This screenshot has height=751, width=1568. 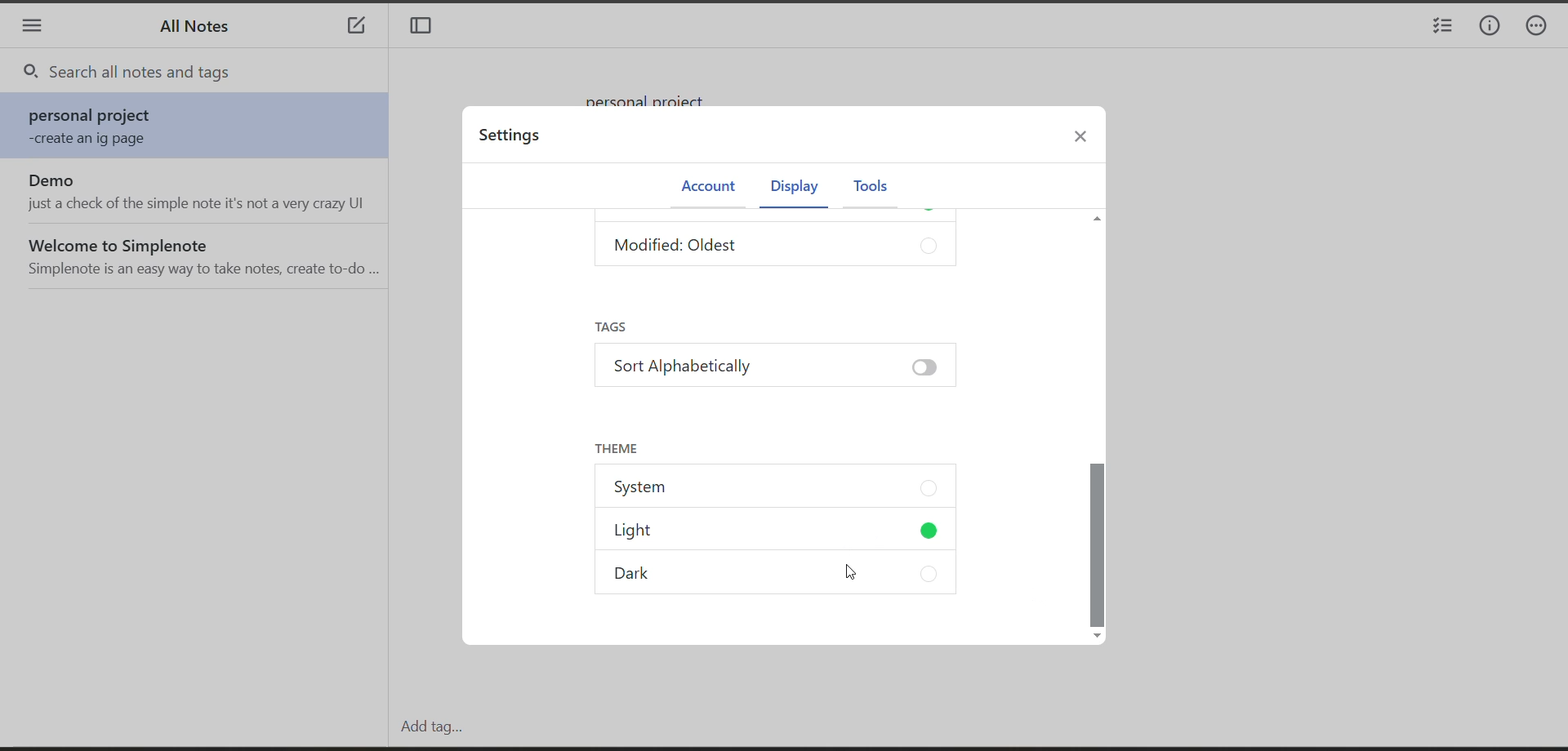 I want to click on insert checklist, so click(x=1440, y=28).